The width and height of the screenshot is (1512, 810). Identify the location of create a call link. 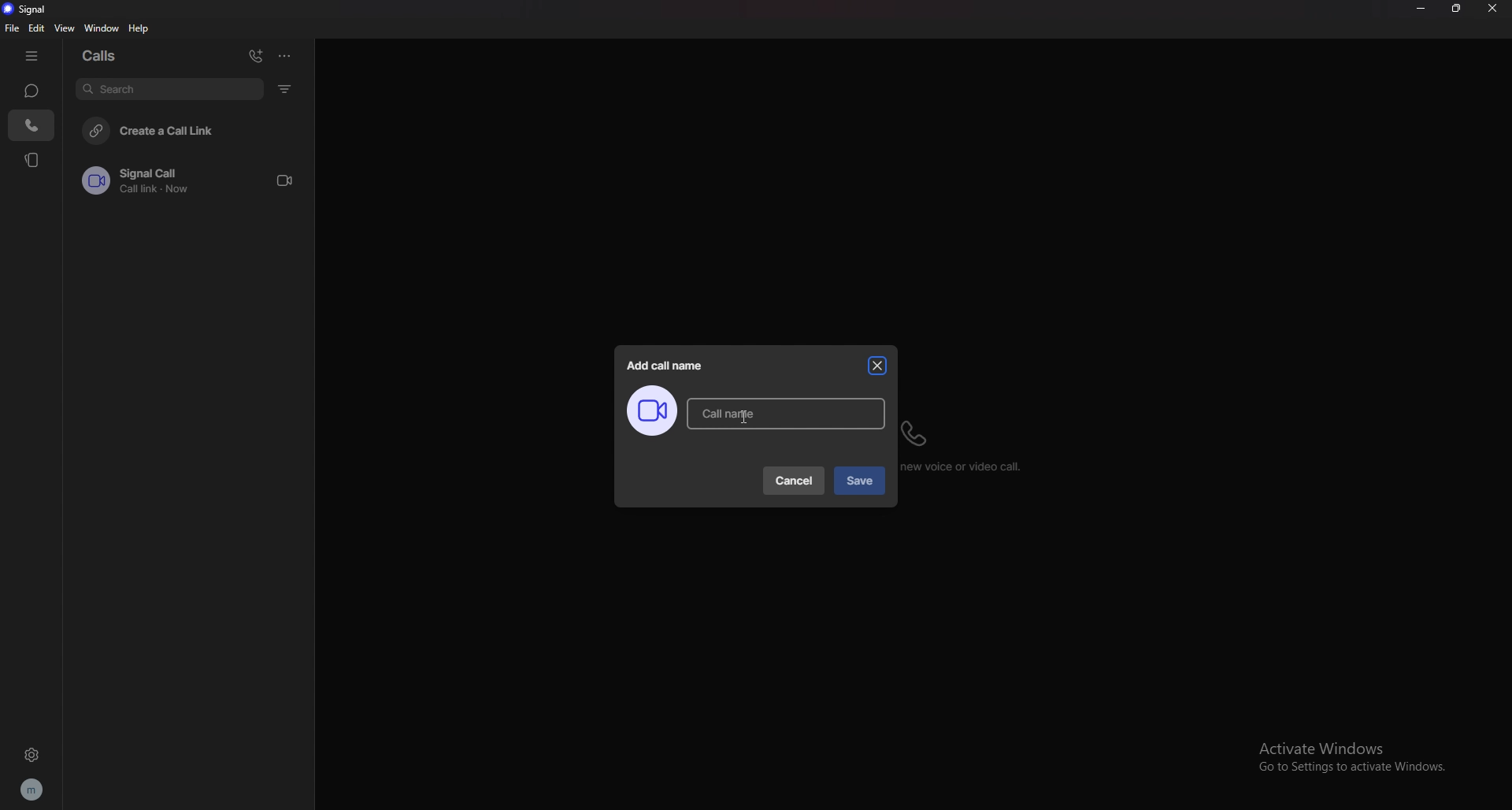
(194, 129).